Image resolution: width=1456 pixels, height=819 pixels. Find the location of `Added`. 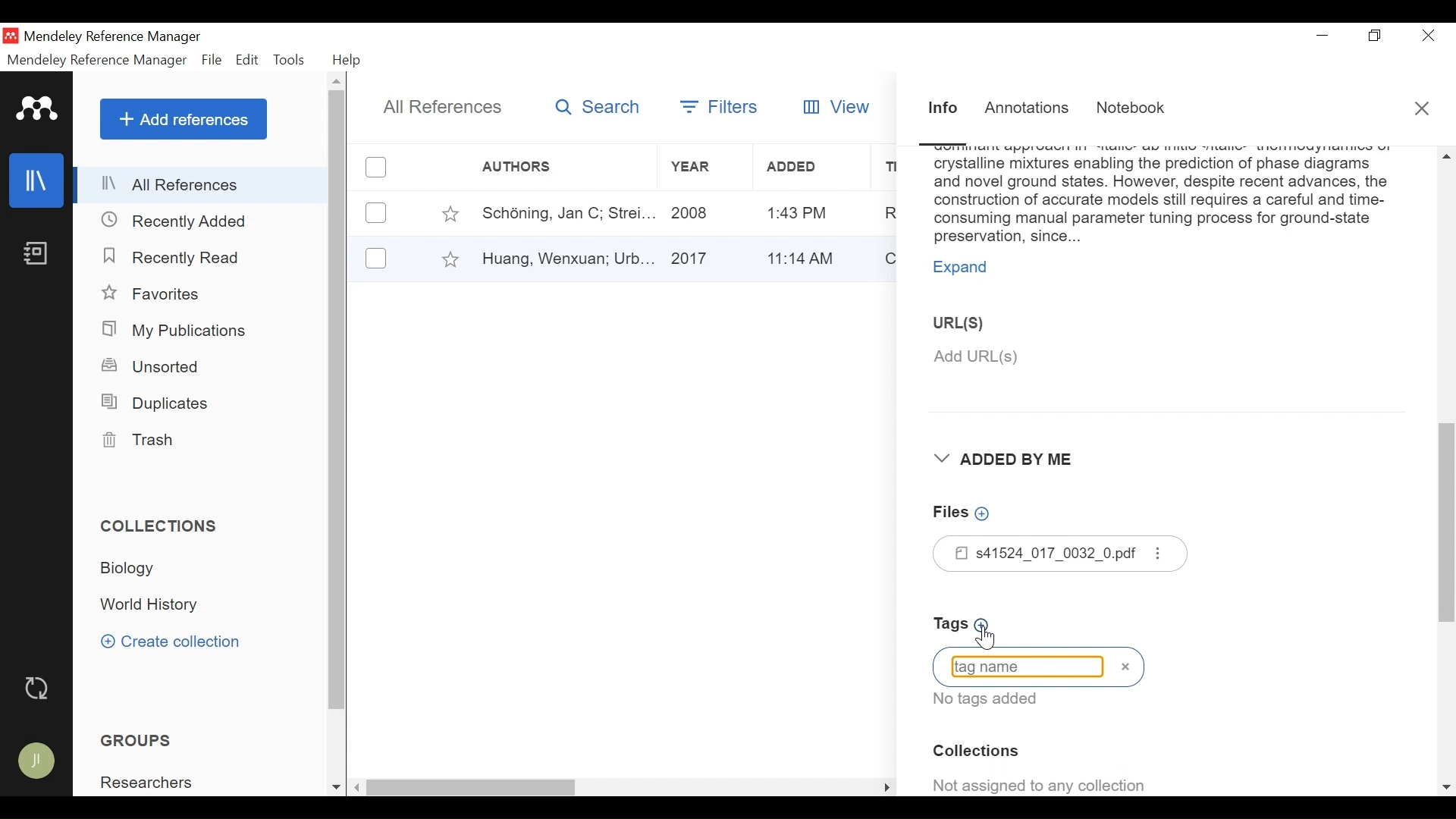

Added is located at coordinates (807, 256).